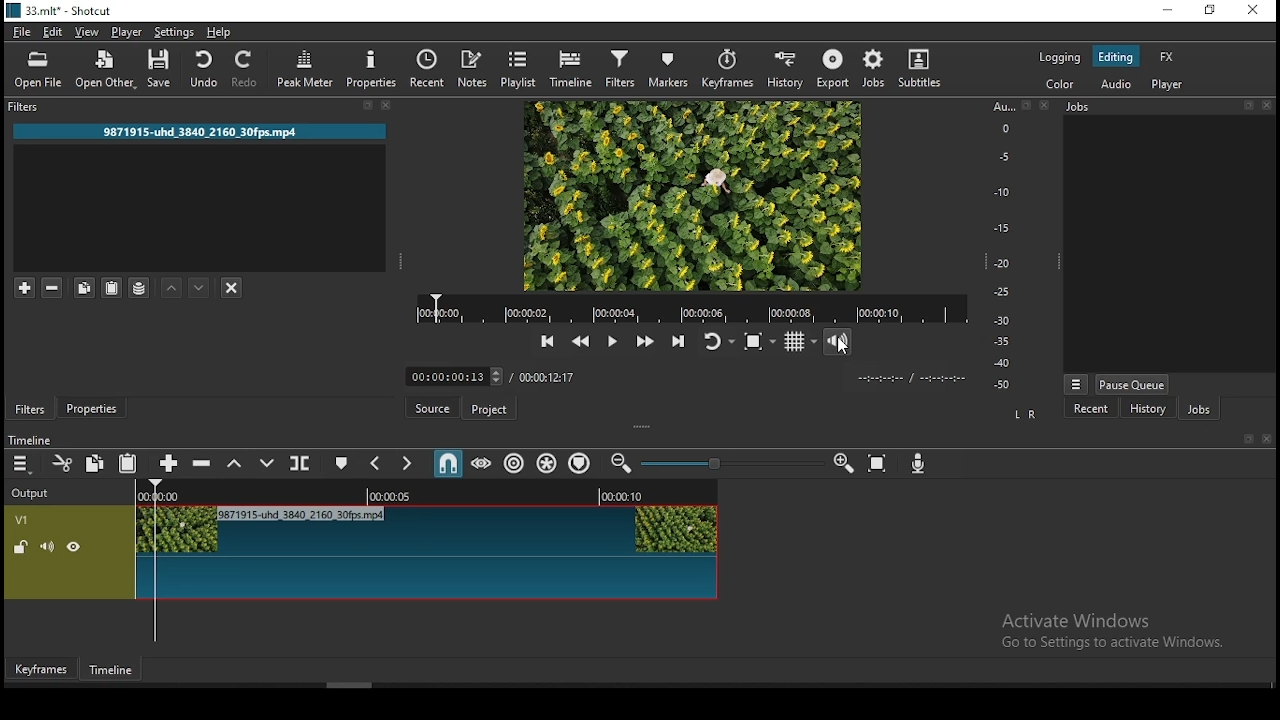  I want to click on restore, so click(1211, 10).